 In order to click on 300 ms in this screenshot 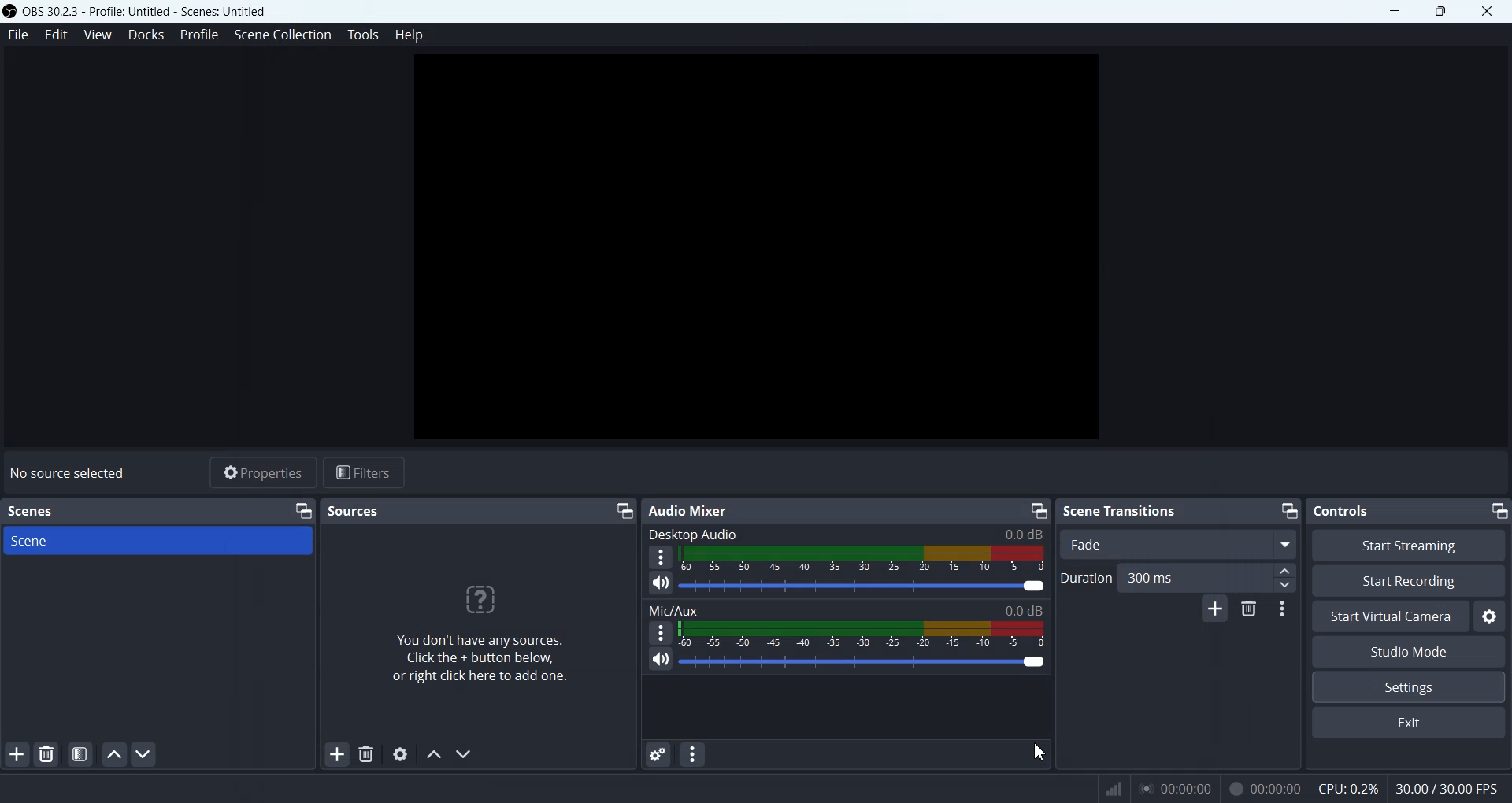, I will do `click(1206, 578)`.